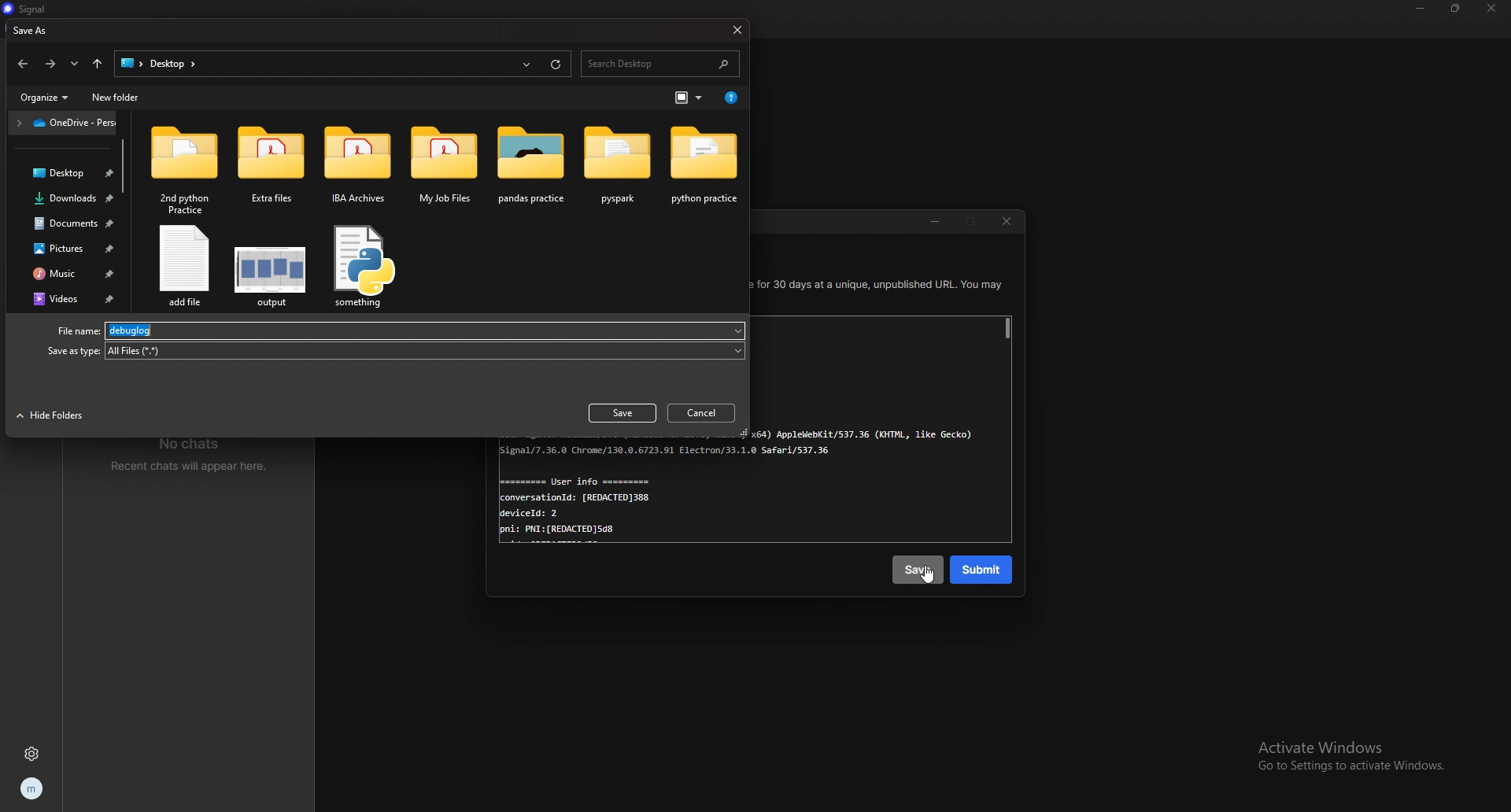 This screenshot has width=1511, height=812. I want to click on upto desktop, so click(98, 64).